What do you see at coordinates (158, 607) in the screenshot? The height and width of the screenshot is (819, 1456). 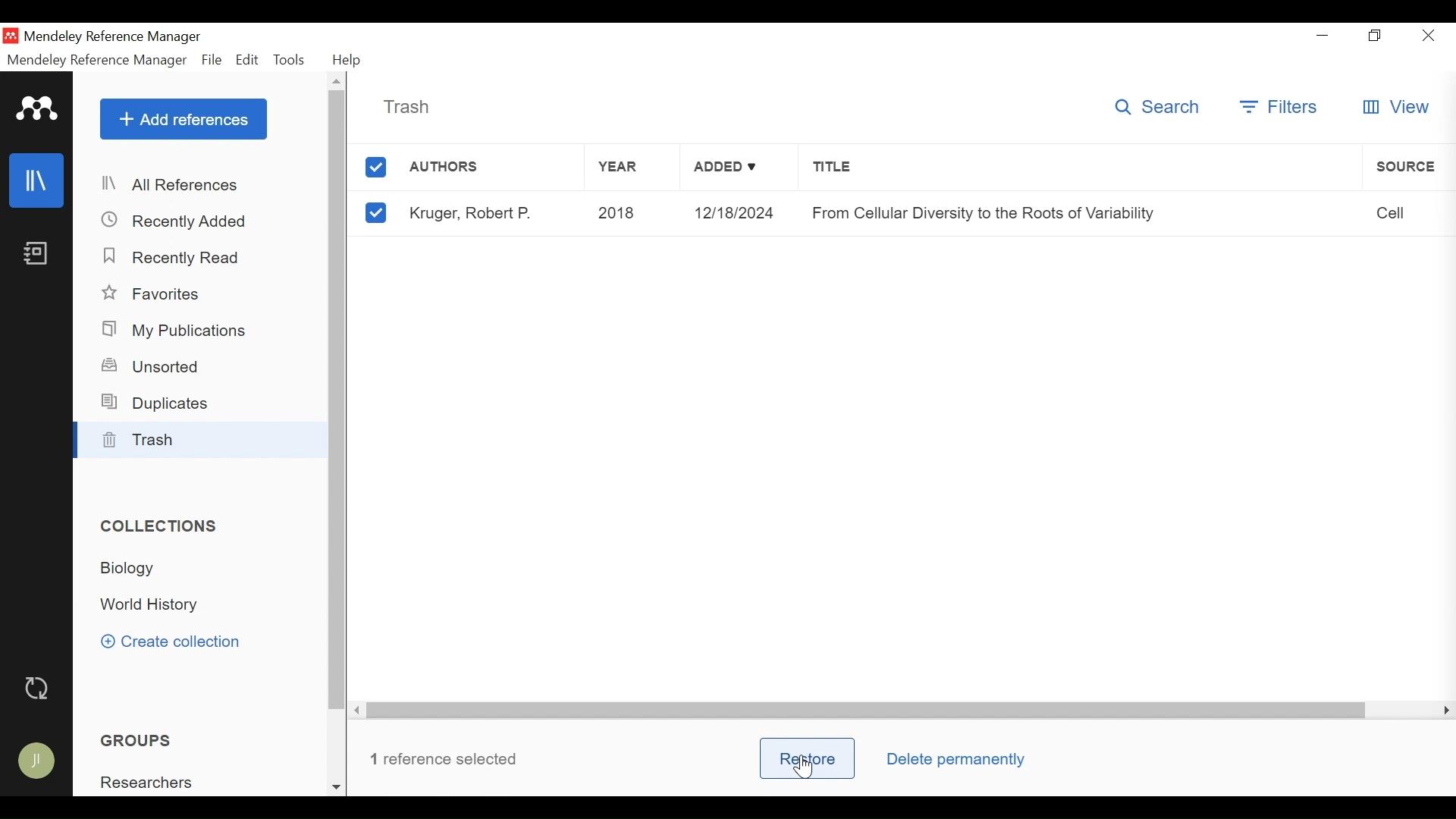 I see `World History` at bounding box center [158, 607].